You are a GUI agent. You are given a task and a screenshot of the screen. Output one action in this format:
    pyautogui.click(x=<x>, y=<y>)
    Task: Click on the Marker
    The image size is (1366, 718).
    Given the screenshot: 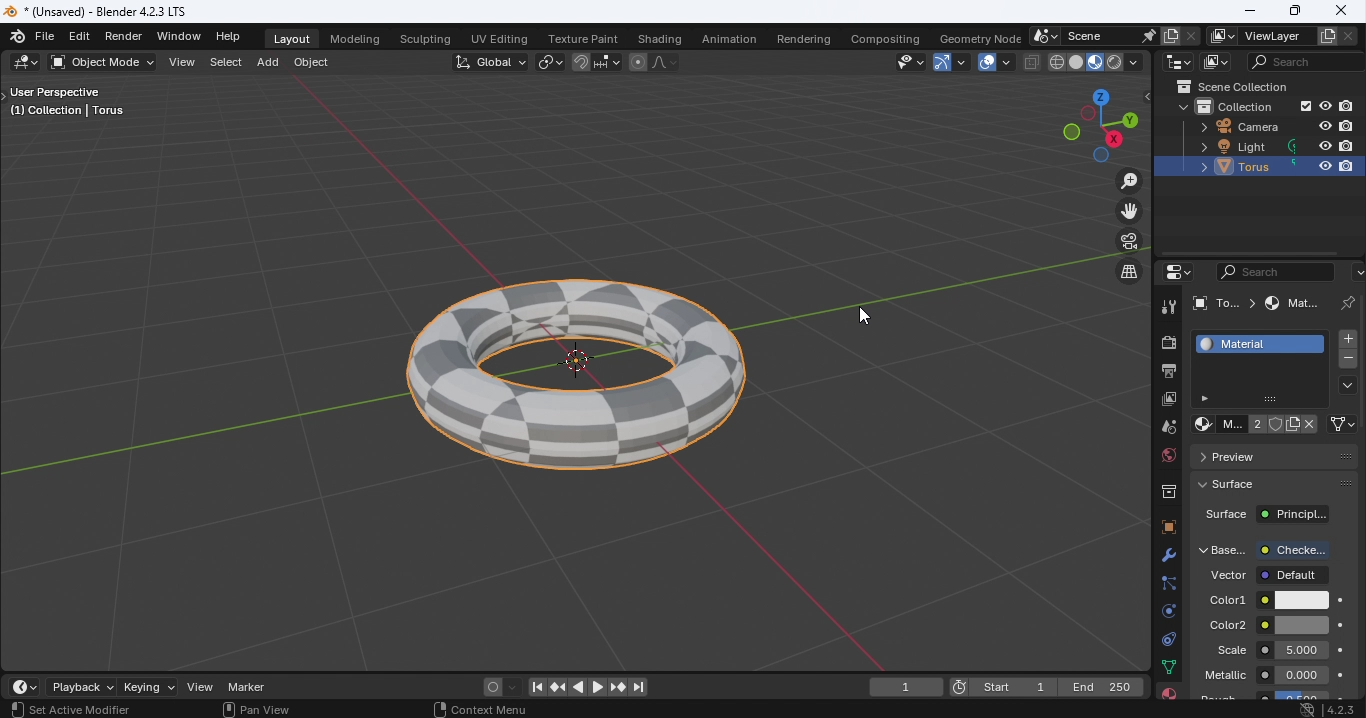 What is the action you would take?
    pyautogui.click(x=247, y=688)
    